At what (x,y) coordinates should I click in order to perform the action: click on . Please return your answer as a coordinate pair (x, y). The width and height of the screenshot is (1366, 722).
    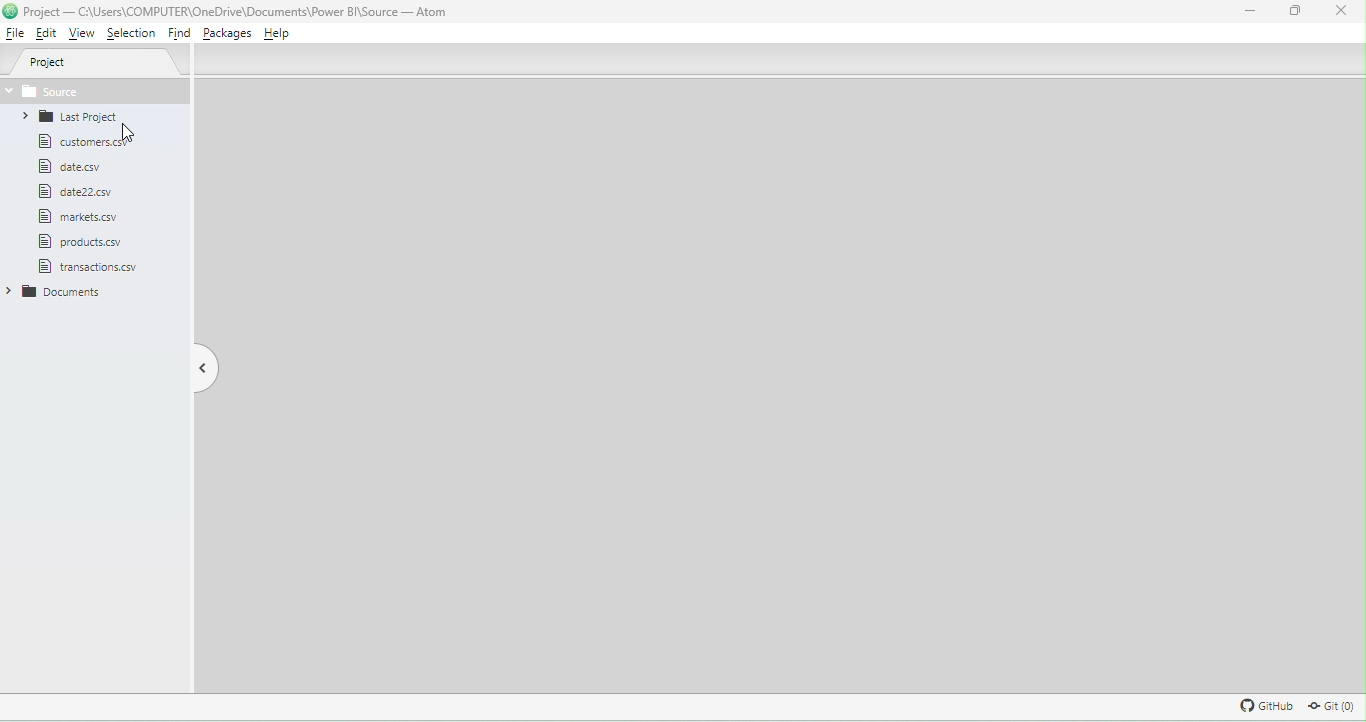
    Looking at the image, I should click on (14, 33).